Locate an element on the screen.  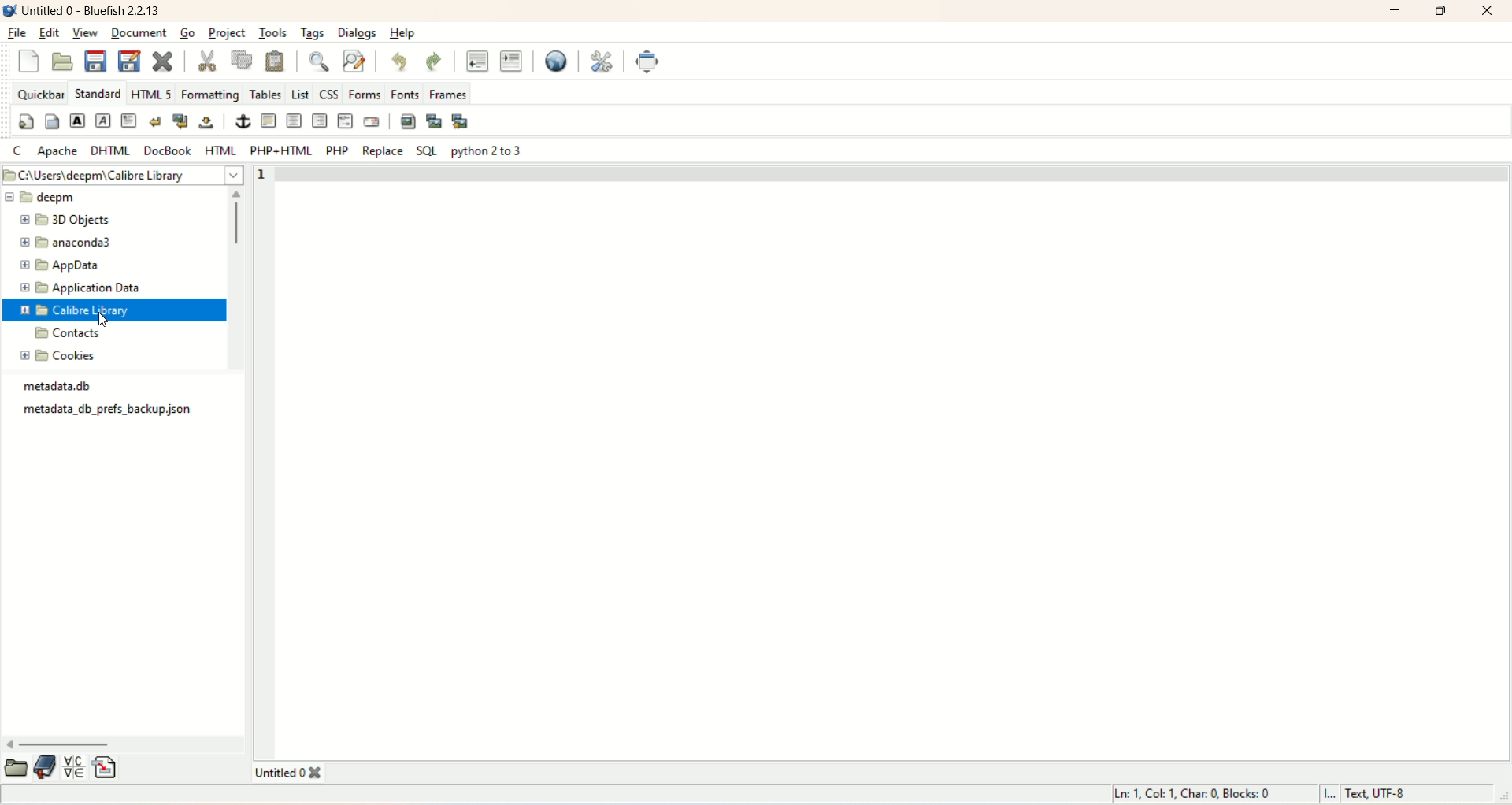
DHTML is located at coordinates (108, 150).